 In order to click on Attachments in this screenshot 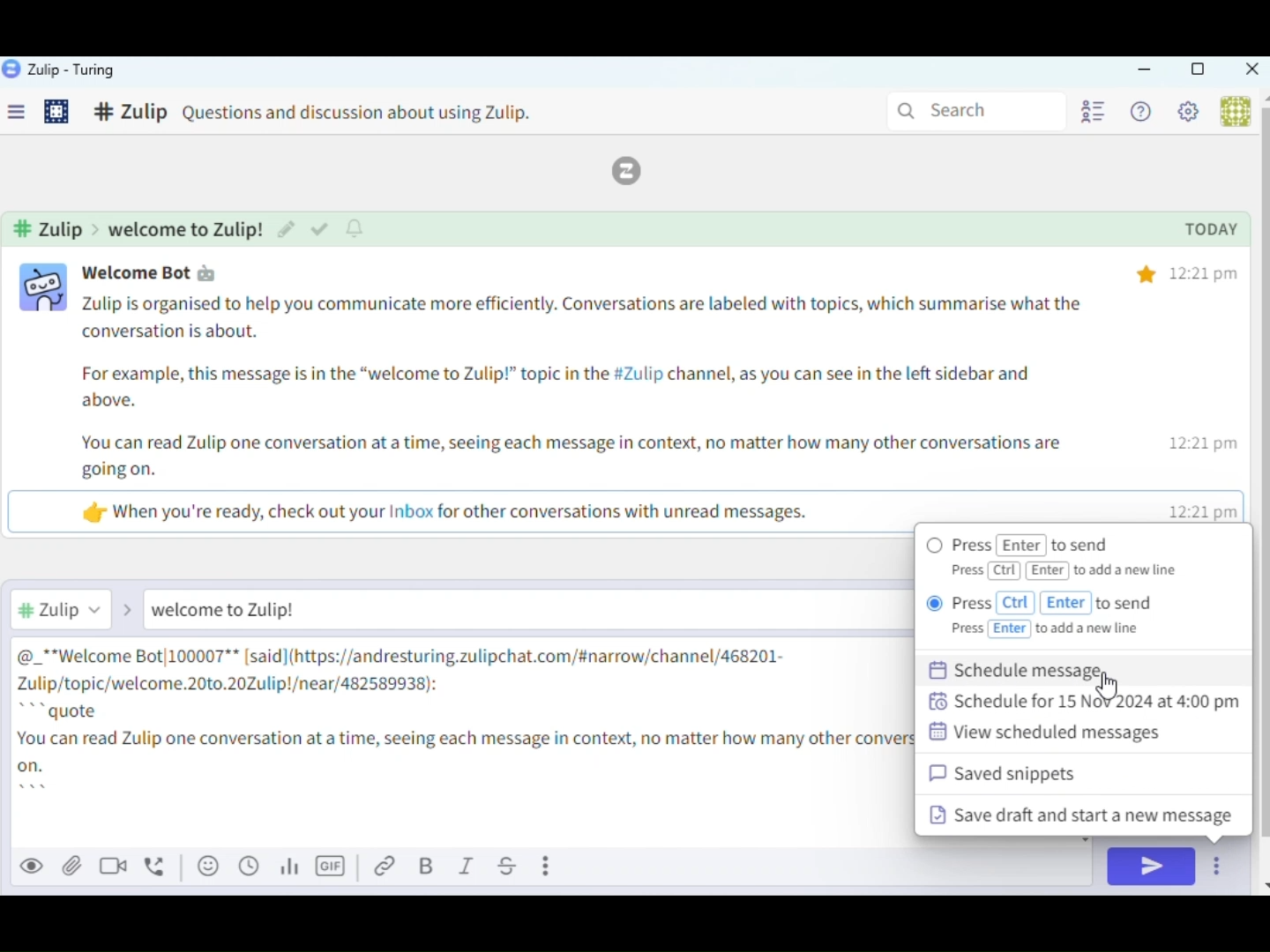, I will do `click(72, 866)`.